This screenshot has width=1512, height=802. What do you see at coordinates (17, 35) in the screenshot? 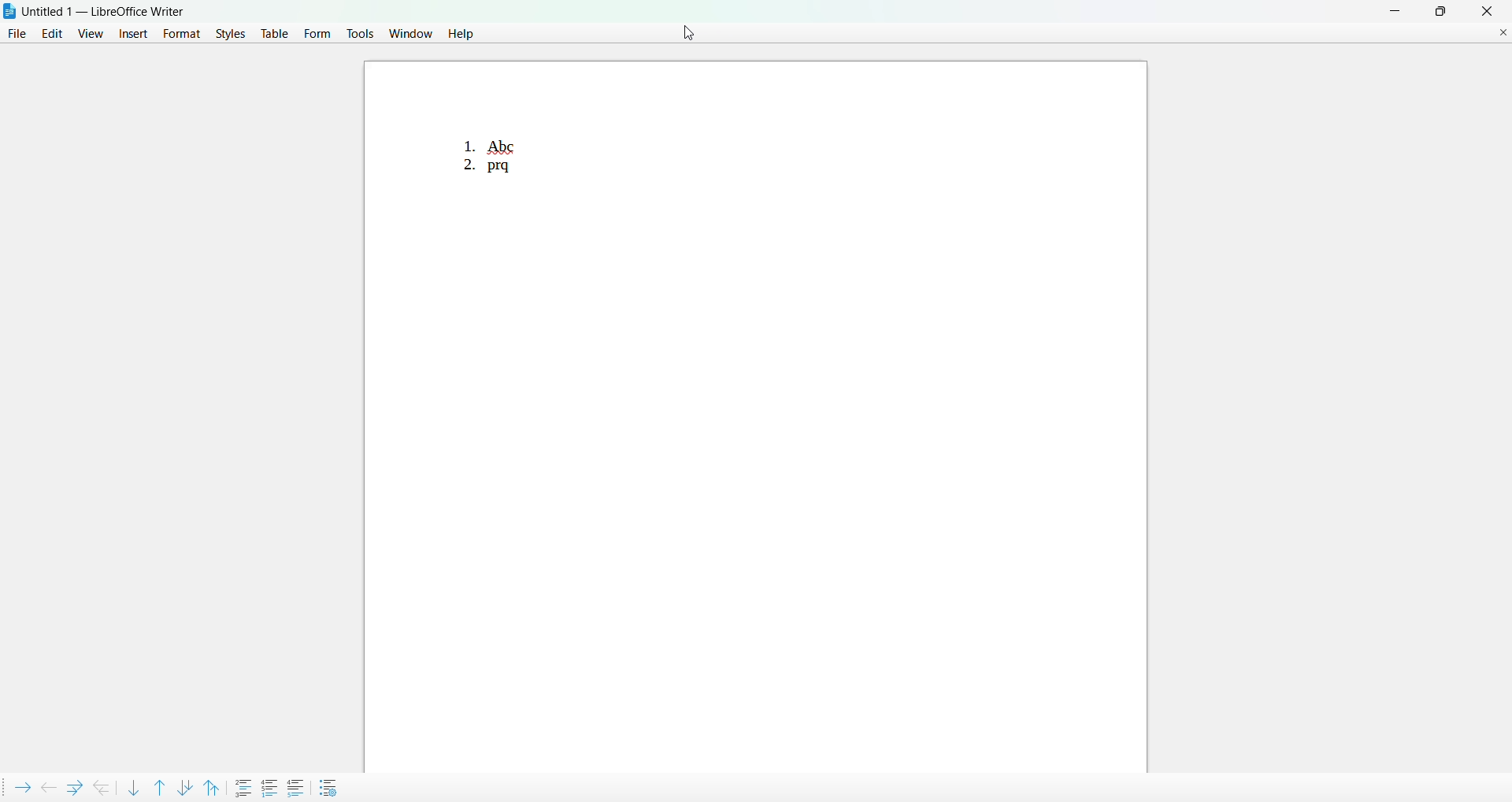
I see `file` at bounding box center [17, 35].